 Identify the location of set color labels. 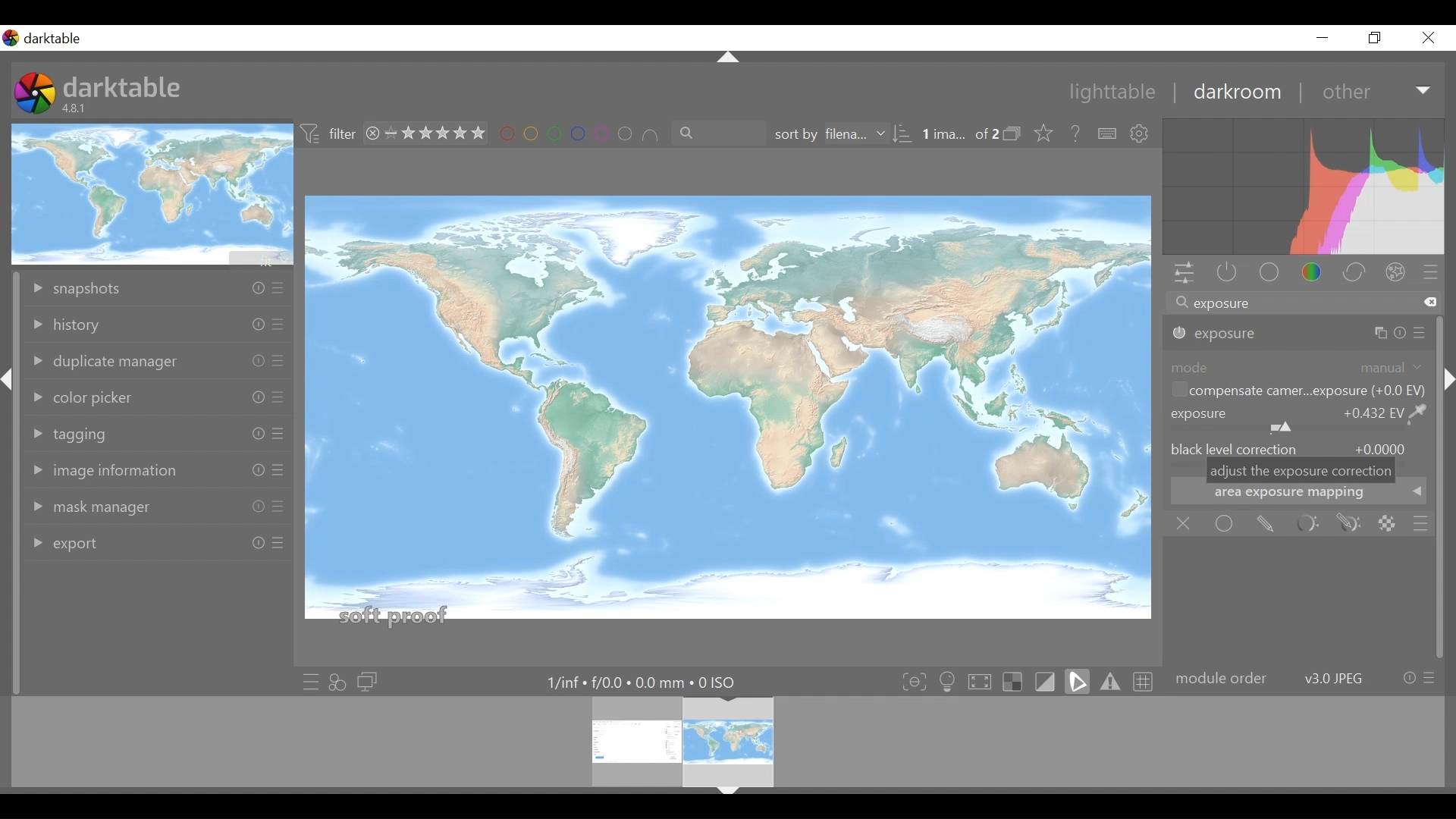
(579, 134).